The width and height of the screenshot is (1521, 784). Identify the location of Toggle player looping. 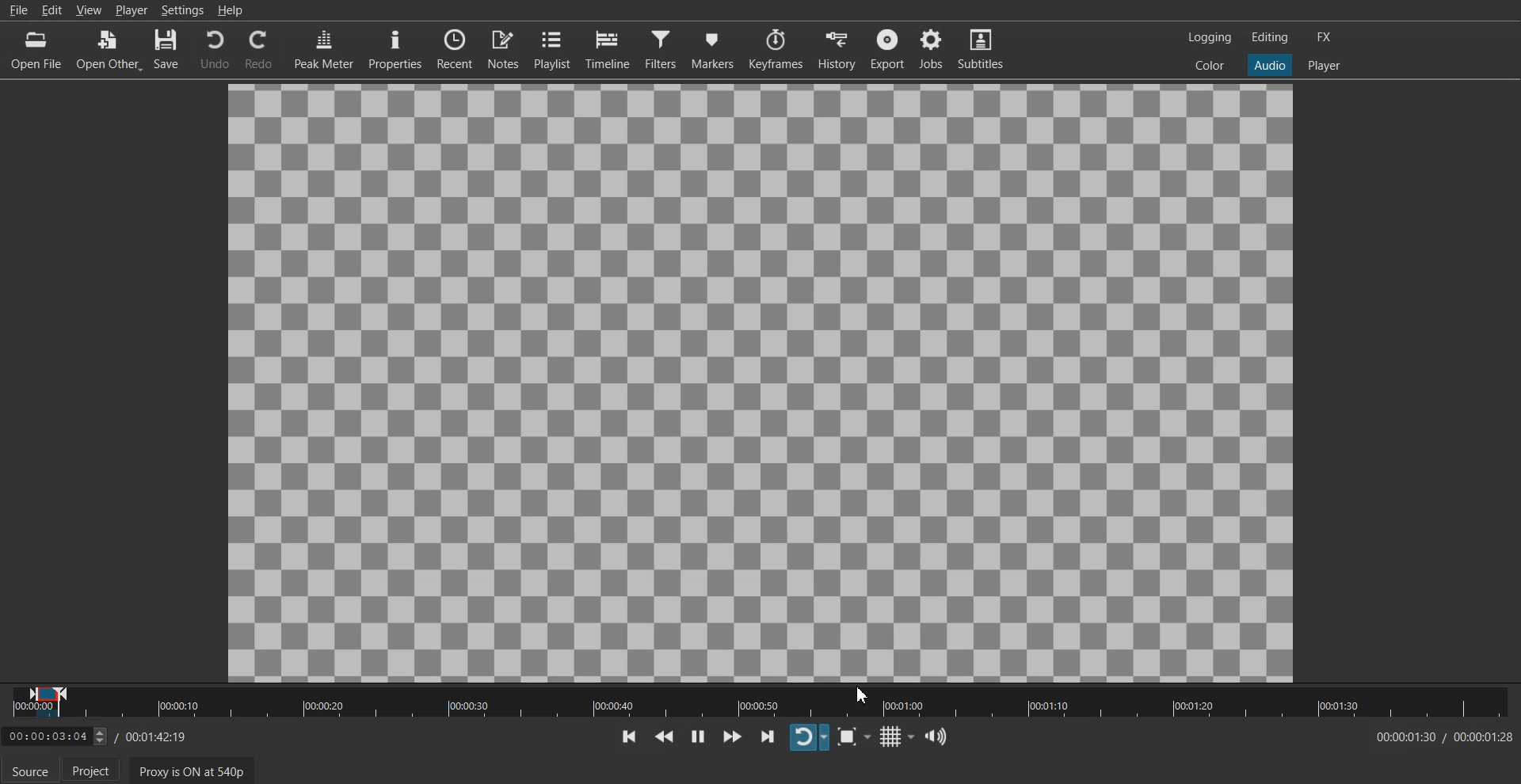
(809, 737).